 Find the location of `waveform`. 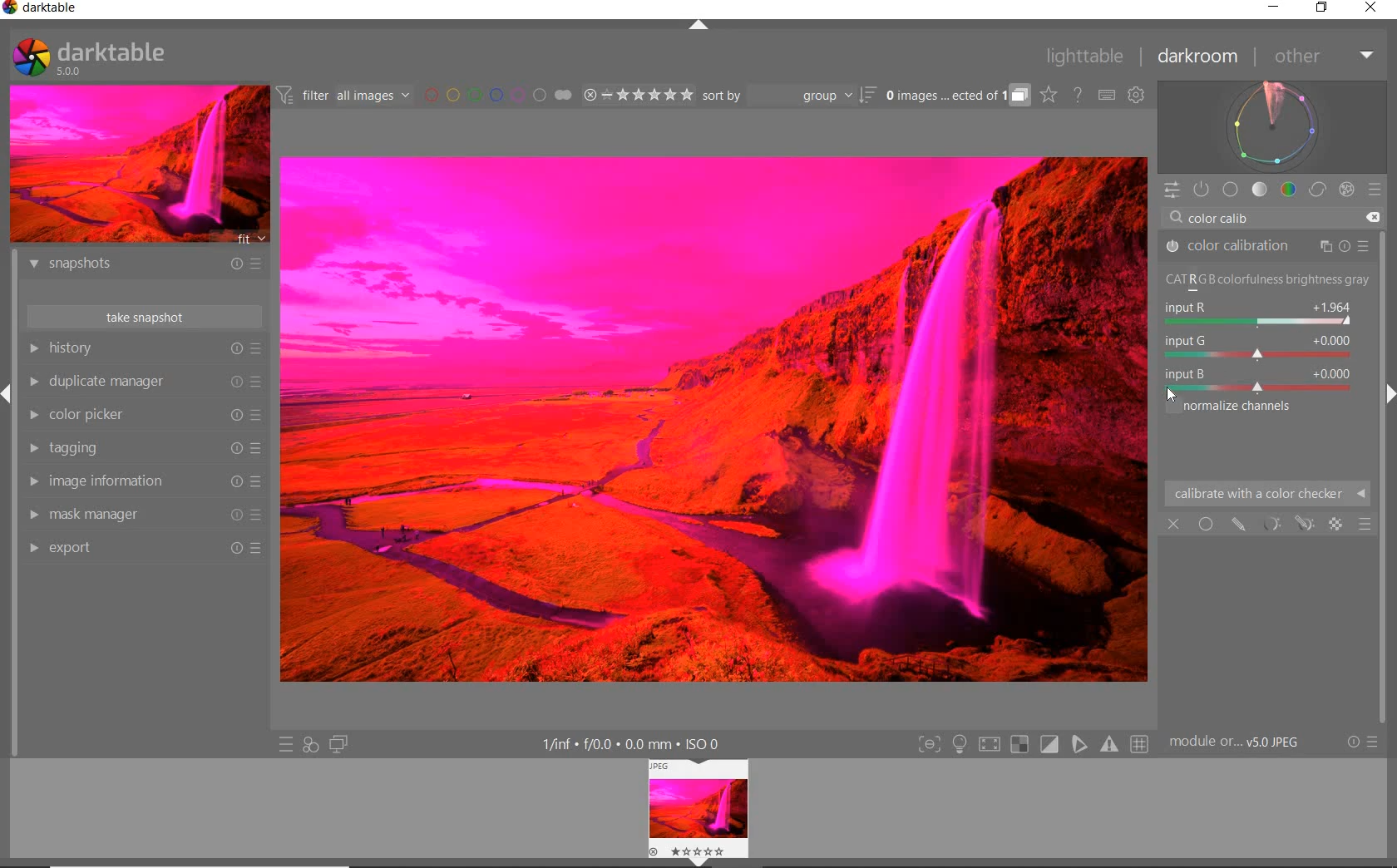

waveform is located at coordinates (1273, 126).